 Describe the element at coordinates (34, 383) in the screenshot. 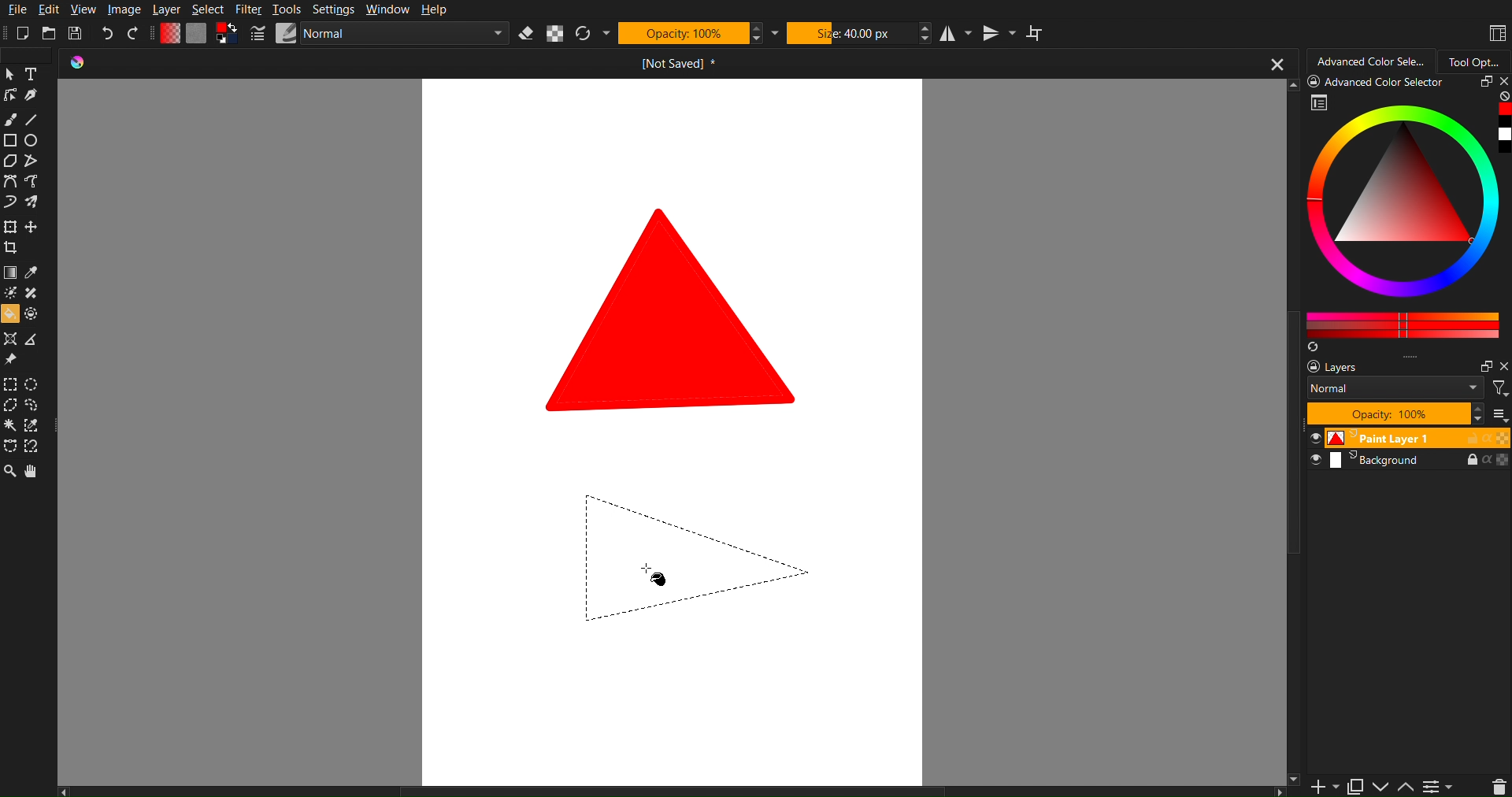

I see `Selection Square ` at that location.